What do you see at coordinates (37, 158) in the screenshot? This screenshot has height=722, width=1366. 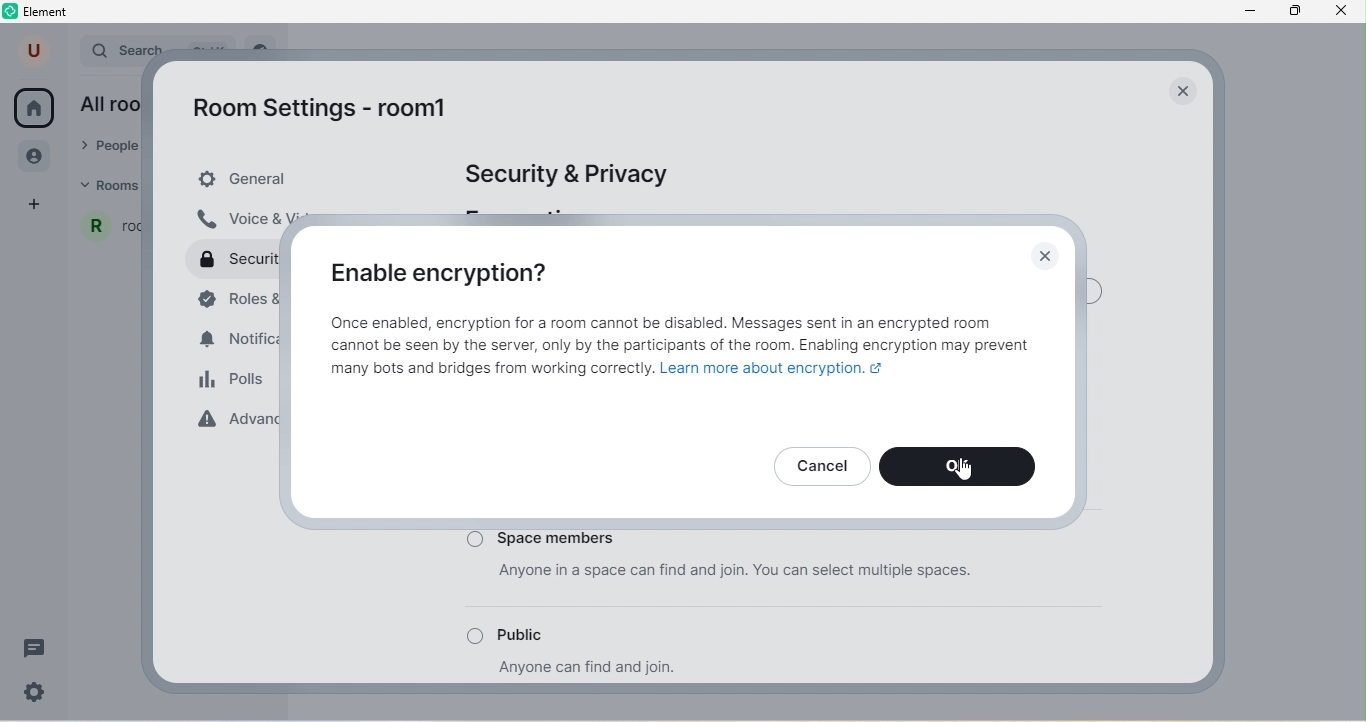 I see `people` at bounding box center [37, 158].